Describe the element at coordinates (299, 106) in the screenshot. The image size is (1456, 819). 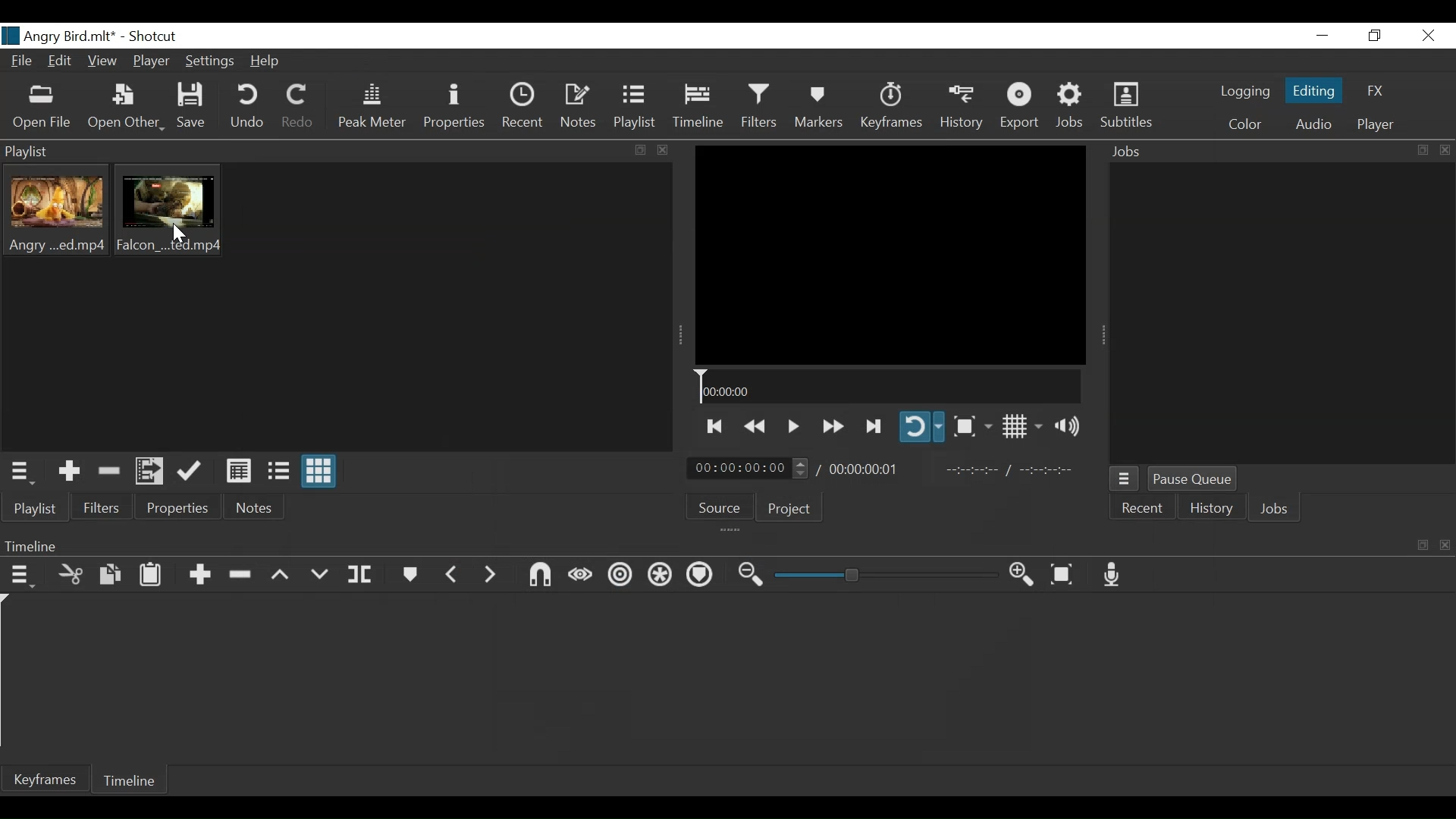
I see `Redo` at that location.